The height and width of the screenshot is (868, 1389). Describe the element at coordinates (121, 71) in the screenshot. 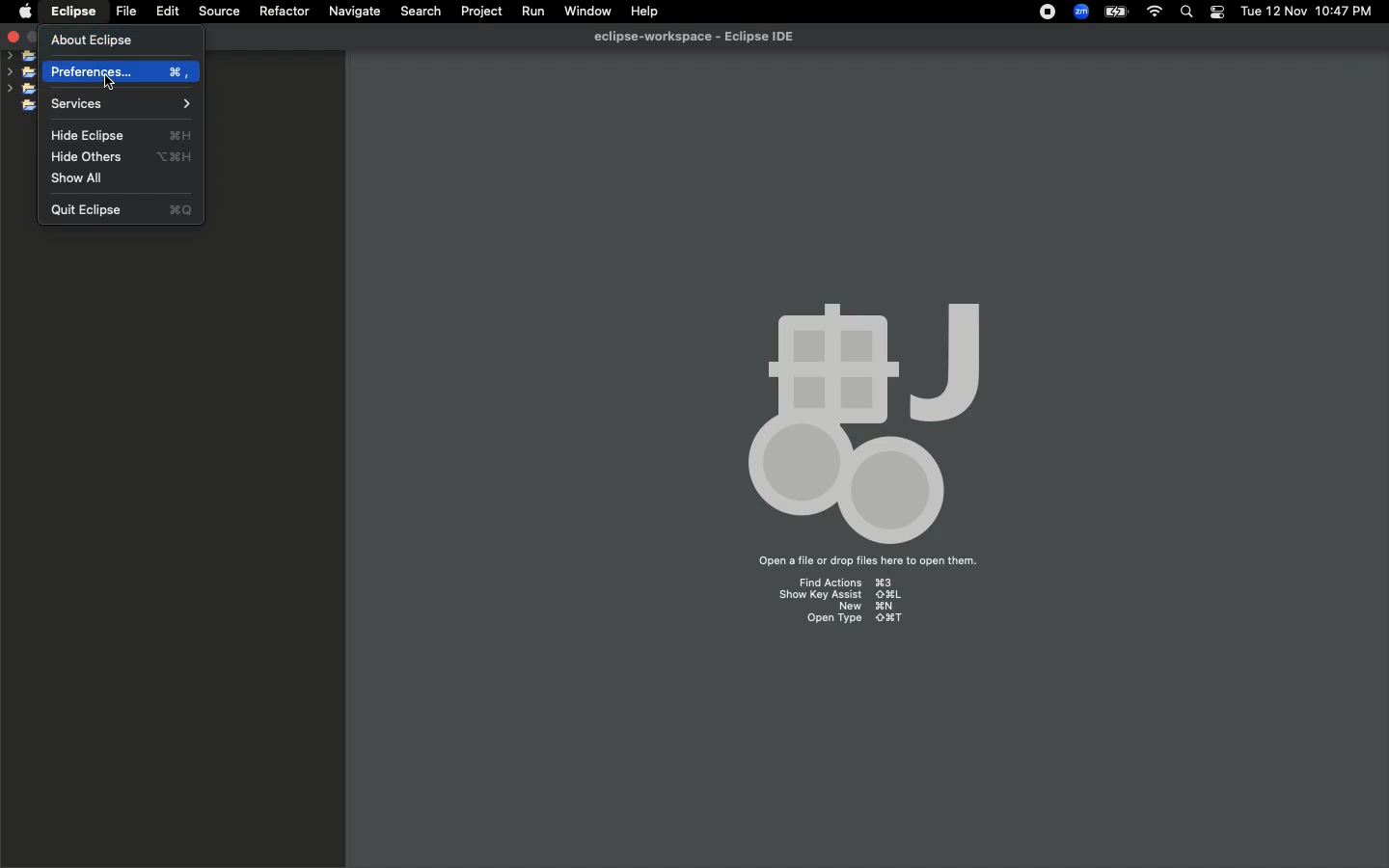

I see `Preferences` at that location.